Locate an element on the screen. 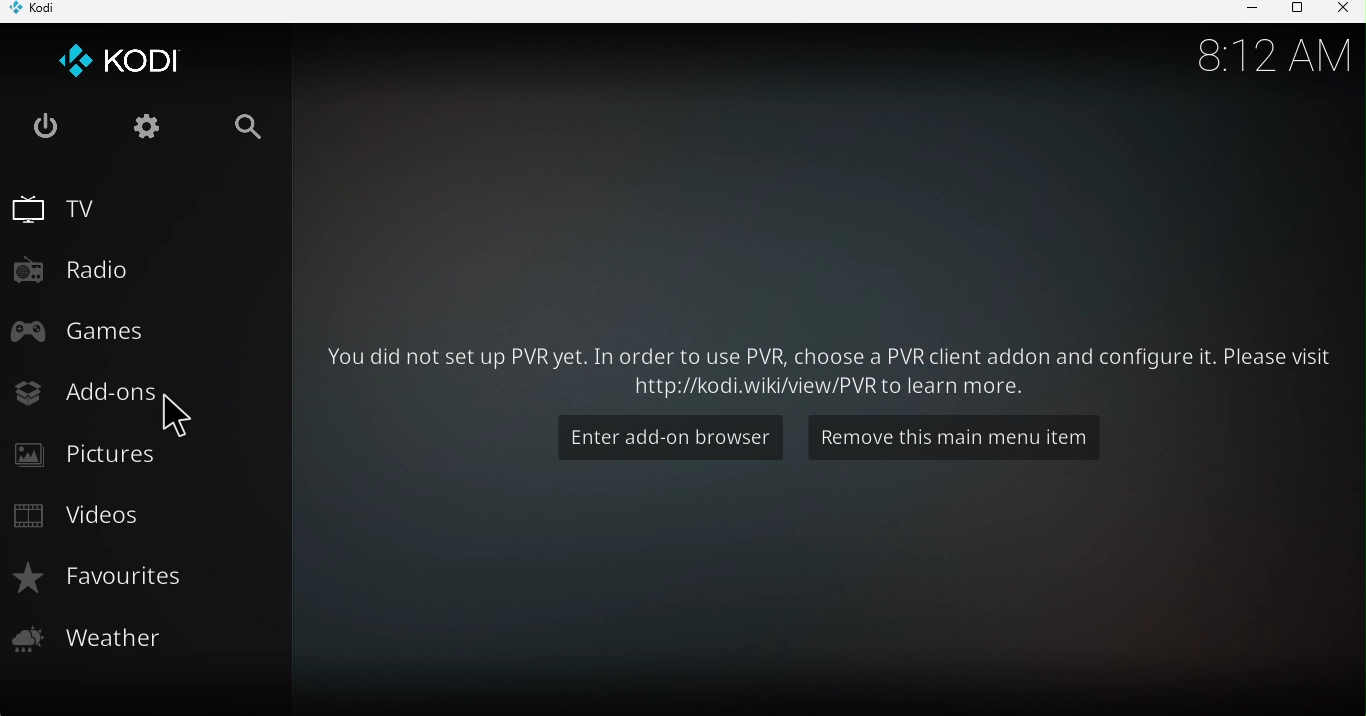 This screenshot has height=716, width=1366. Enter add-on browser is located at coordinates (667, 436).